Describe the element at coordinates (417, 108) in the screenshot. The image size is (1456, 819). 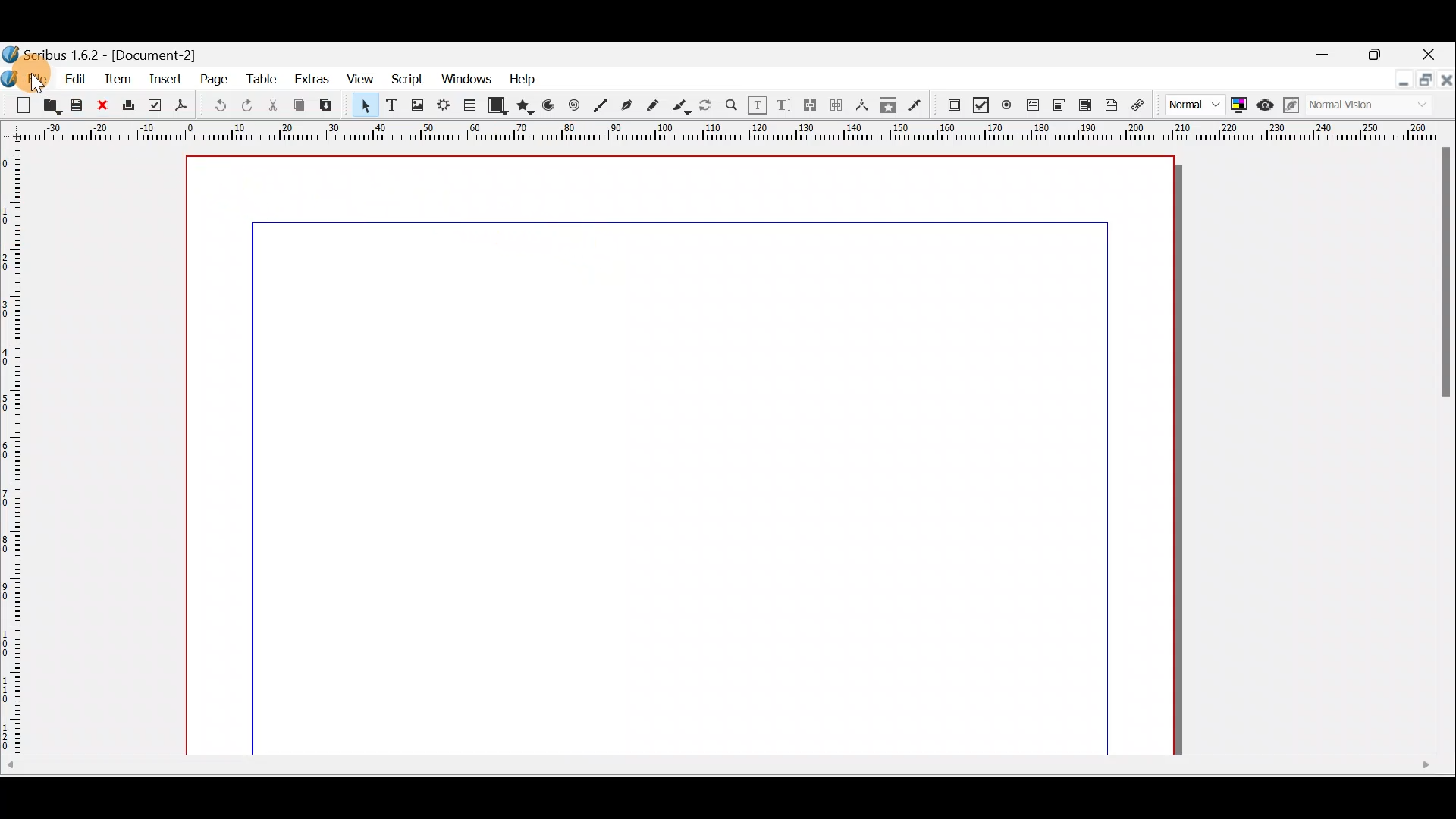
I see `Image frame` at that location.